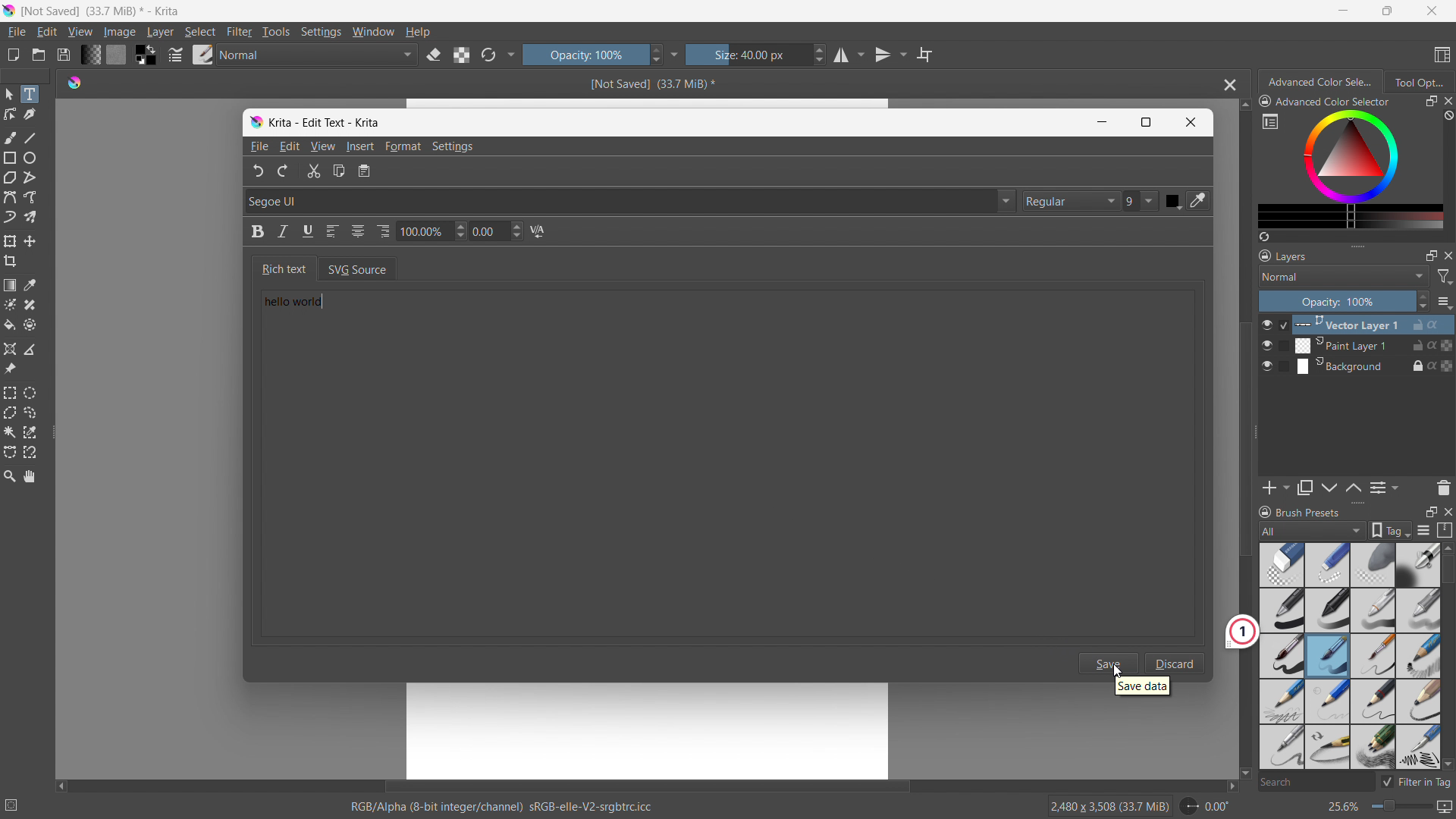 This screenshot has height=819, width=1456. What do you see at coordinates (175, 55) in the screenshot?
I see `edit brush settings` at bounding box center [175, 55].